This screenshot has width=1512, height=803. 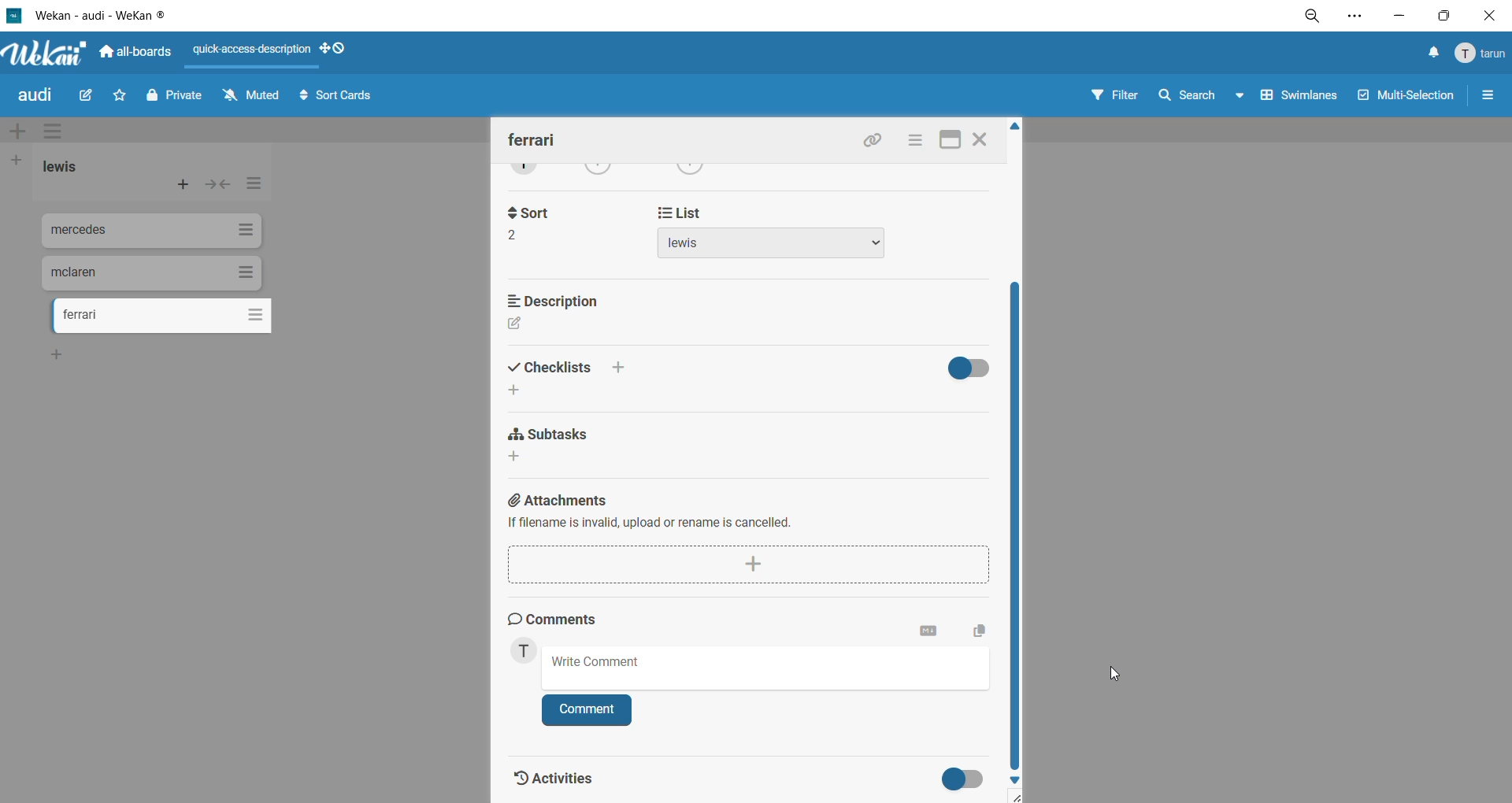 What do you see at coordinates (539, 222) in the screenshot?
I see `sort` at bounding box center [539, 222].